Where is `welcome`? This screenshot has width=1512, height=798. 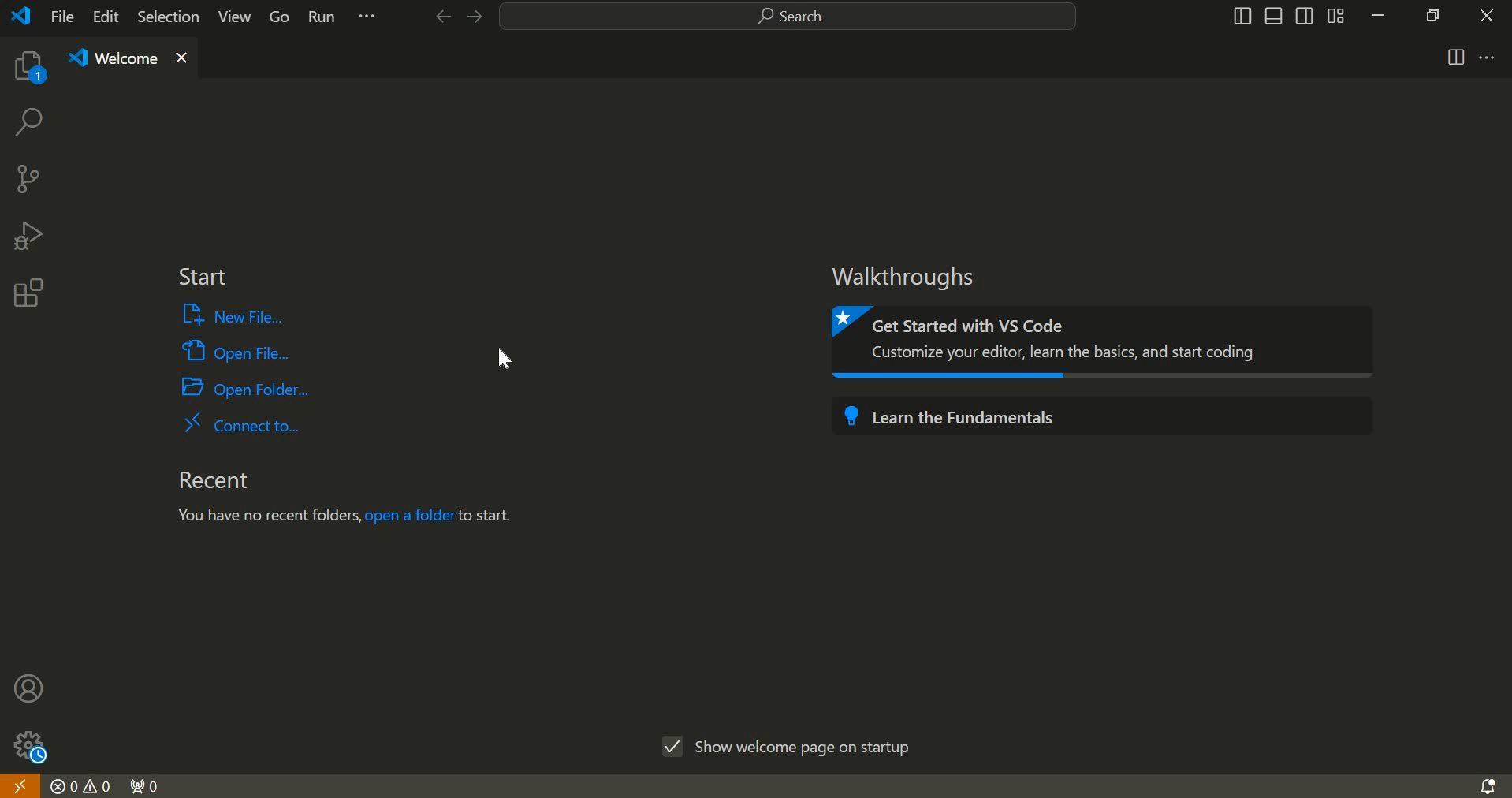 welcome is located at coordinates (127, 59).